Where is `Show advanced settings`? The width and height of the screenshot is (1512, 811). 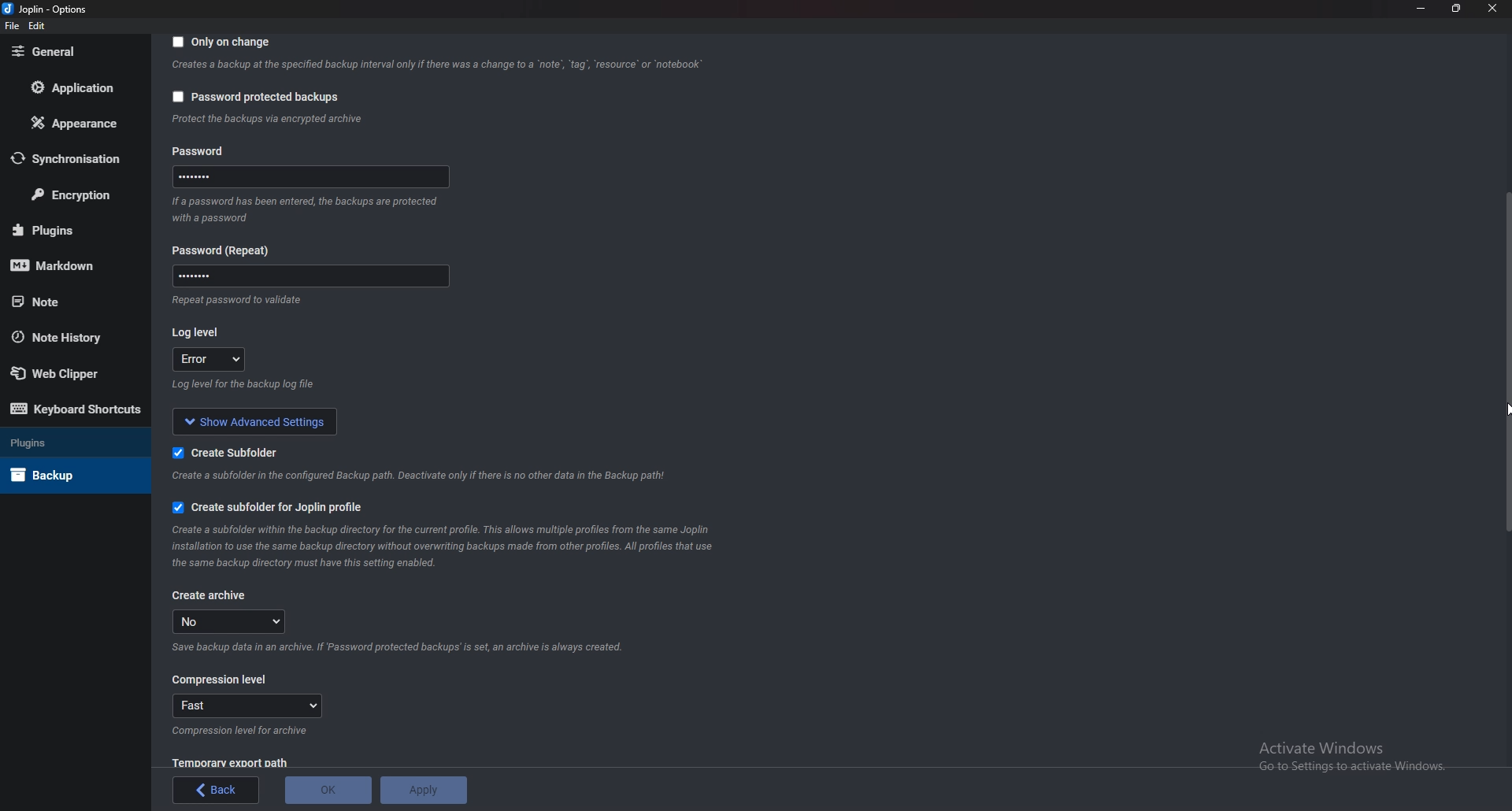
Show advanced settings is located at coordinates (257, 420).